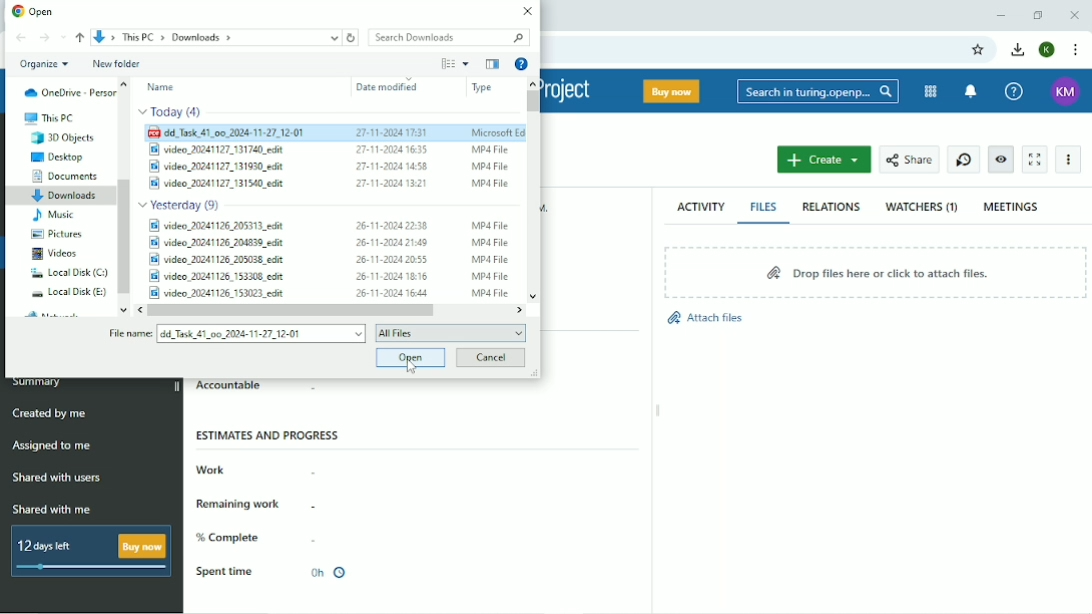 This screenshot has height=614, width=1092. What do you see at coordinates (327, 149) in the screenshot?
I see `Video file` at bounding box center [327, 149].